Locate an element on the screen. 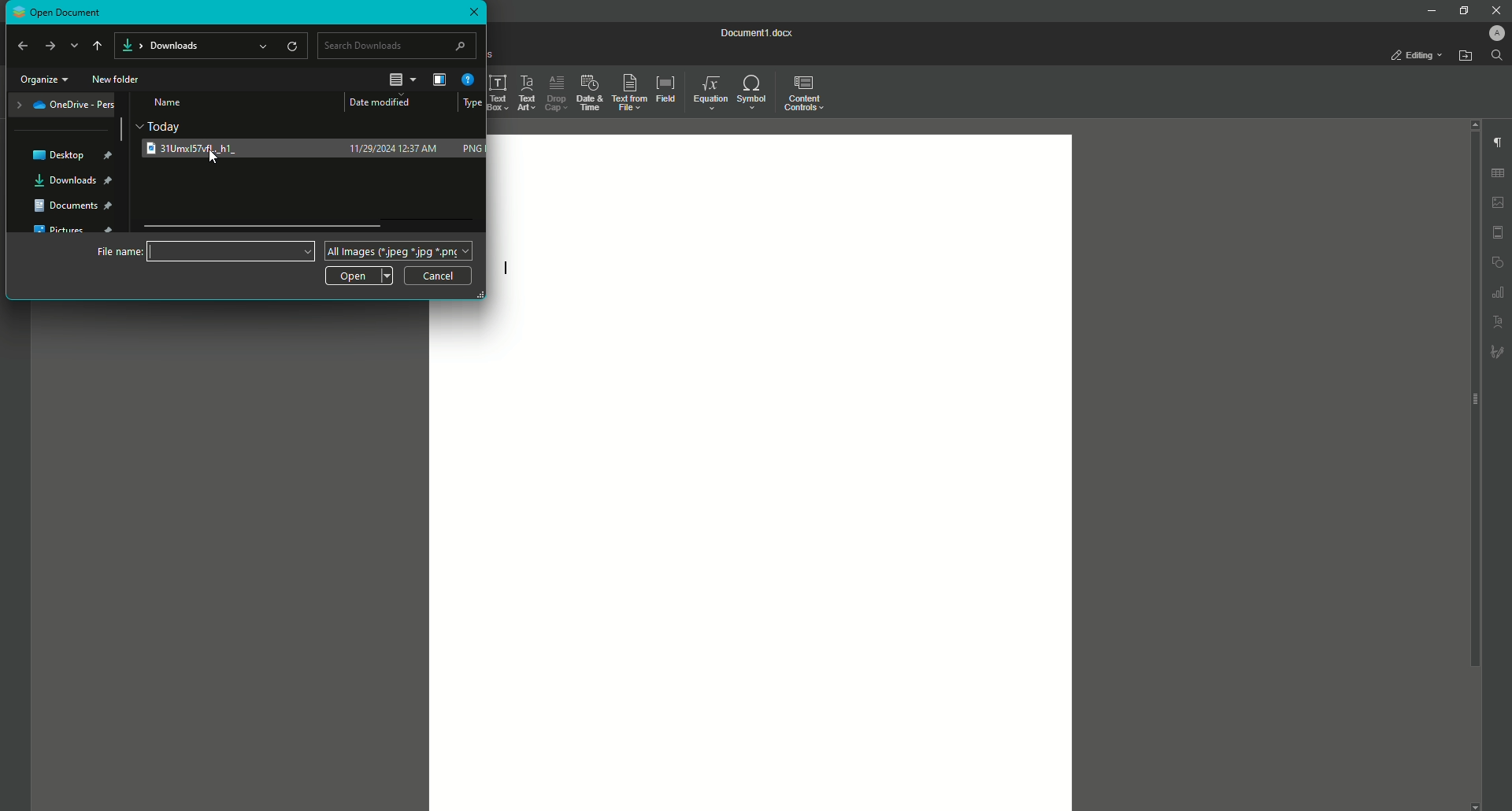  Open document is located at coordinates (100, 10).